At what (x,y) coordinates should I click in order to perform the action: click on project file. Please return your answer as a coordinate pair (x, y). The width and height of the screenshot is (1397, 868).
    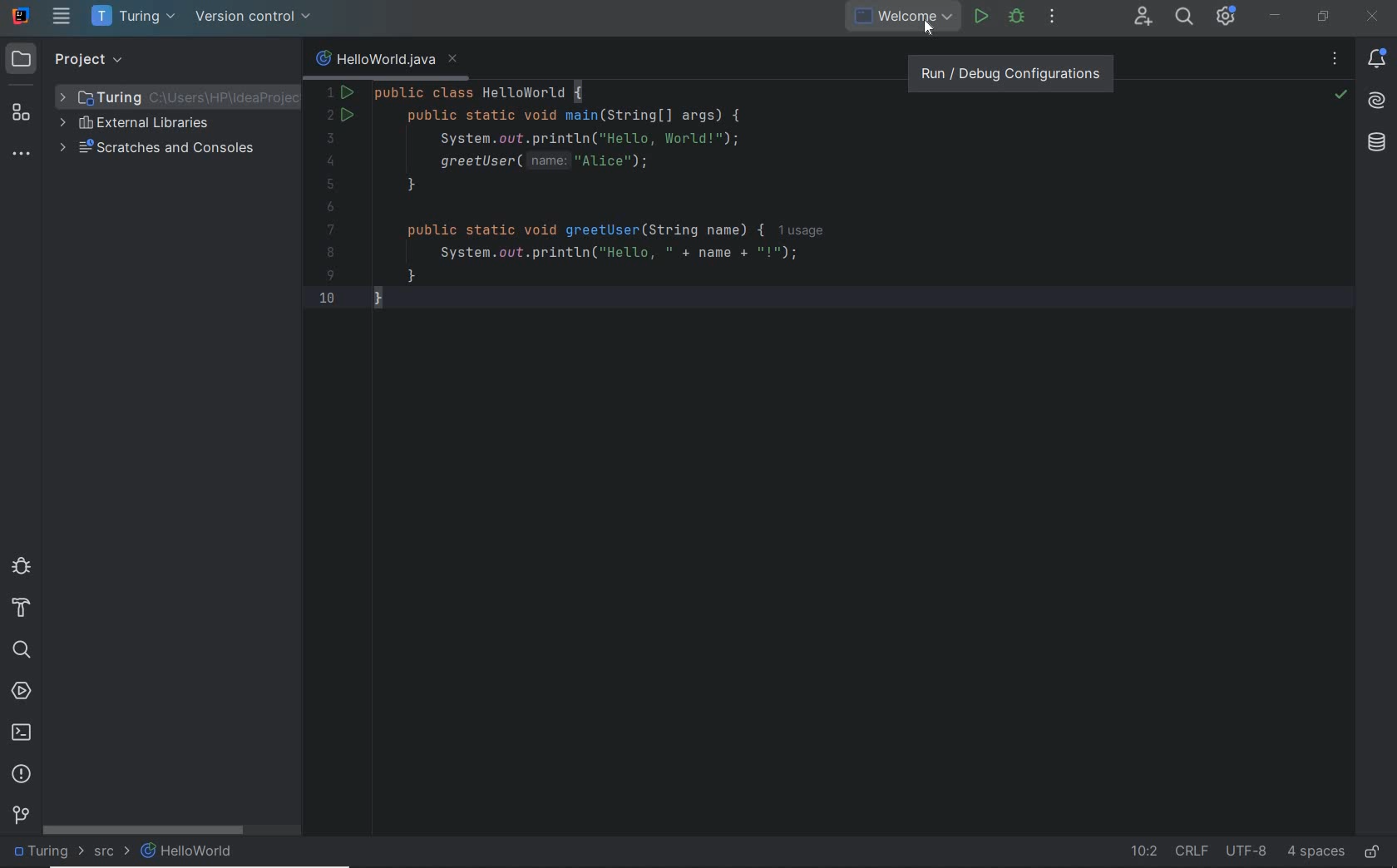
    Looking at the image, I should click on (46, 851).